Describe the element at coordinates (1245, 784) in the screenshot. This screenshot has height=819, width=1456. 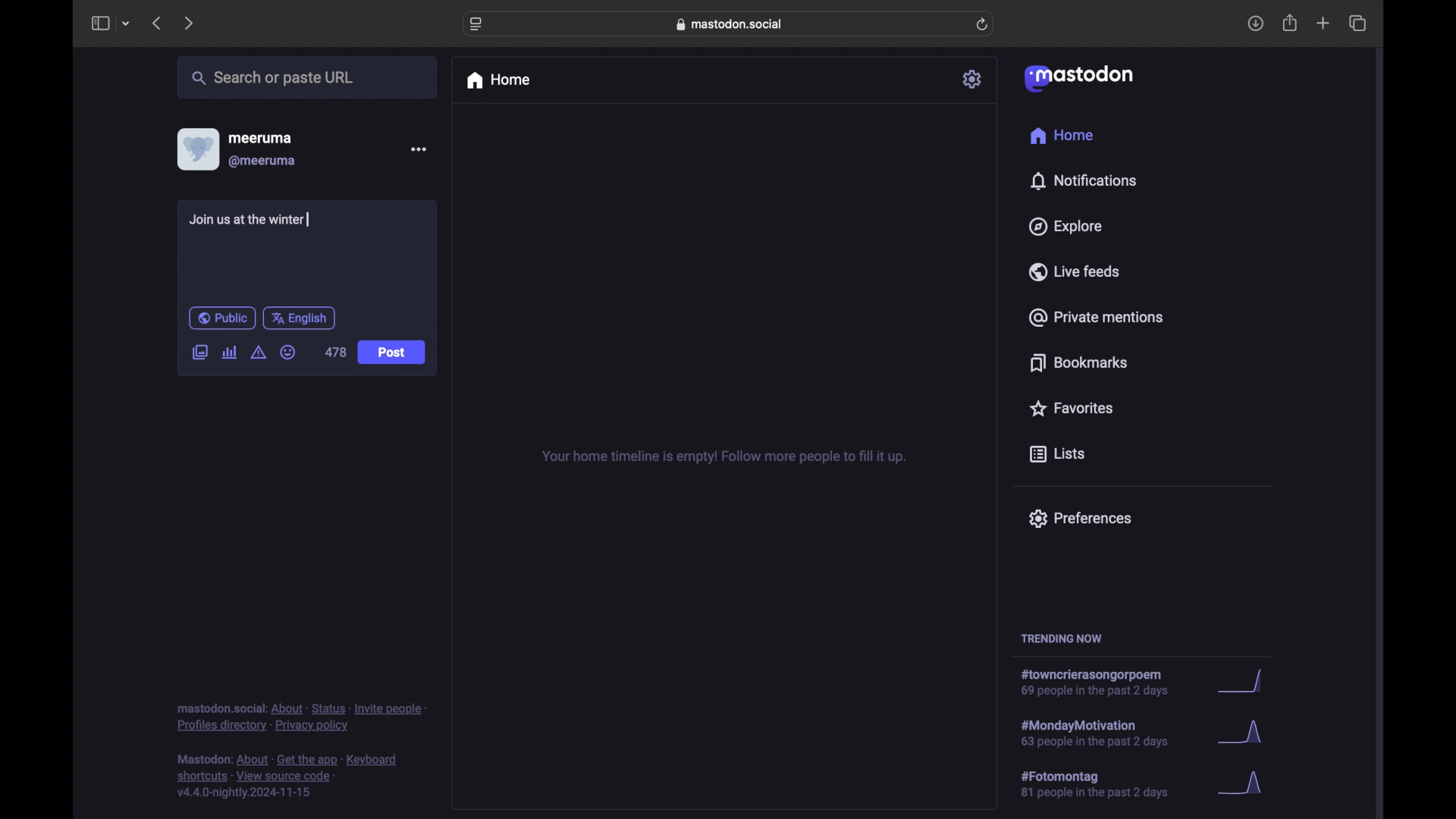
I see `graph` at that location.